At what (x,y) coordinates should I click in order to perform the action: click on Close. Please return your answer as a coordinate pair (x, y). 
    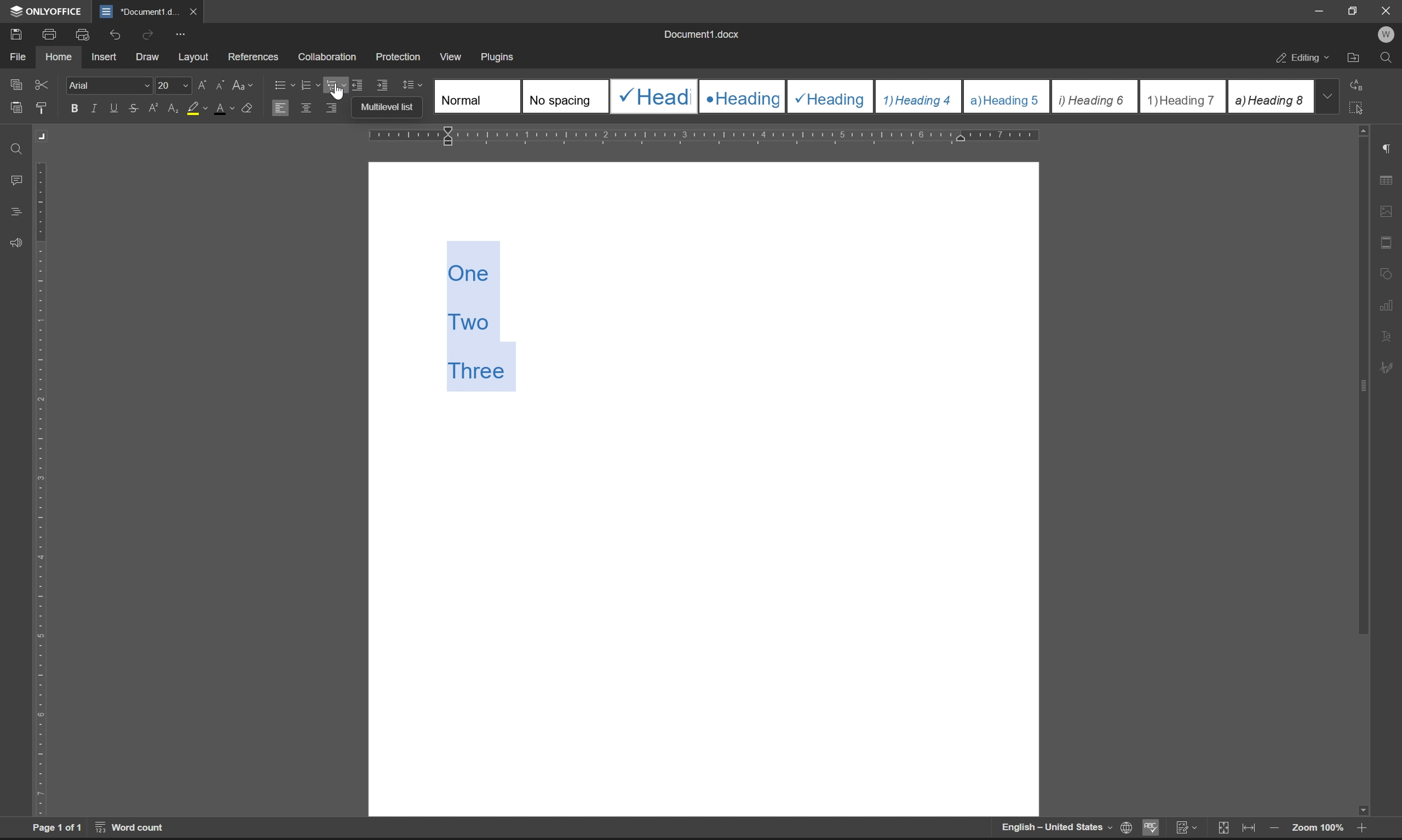
    Looking at the image, I should click on (1387, 11).